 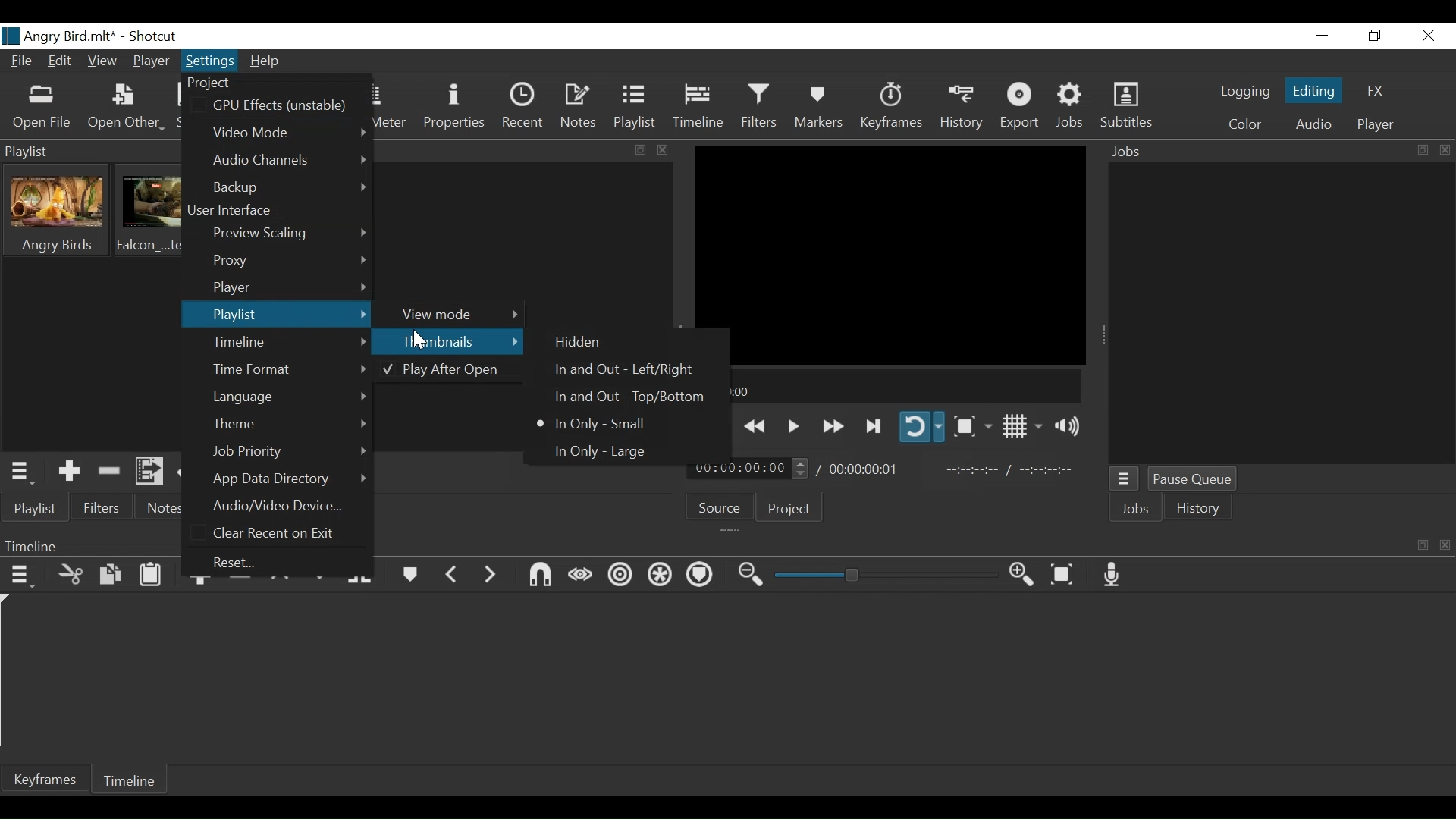 What do you see at coordinates (151, 576) in the screenshot?
I see `Paste` at bounding box center [151, 576].